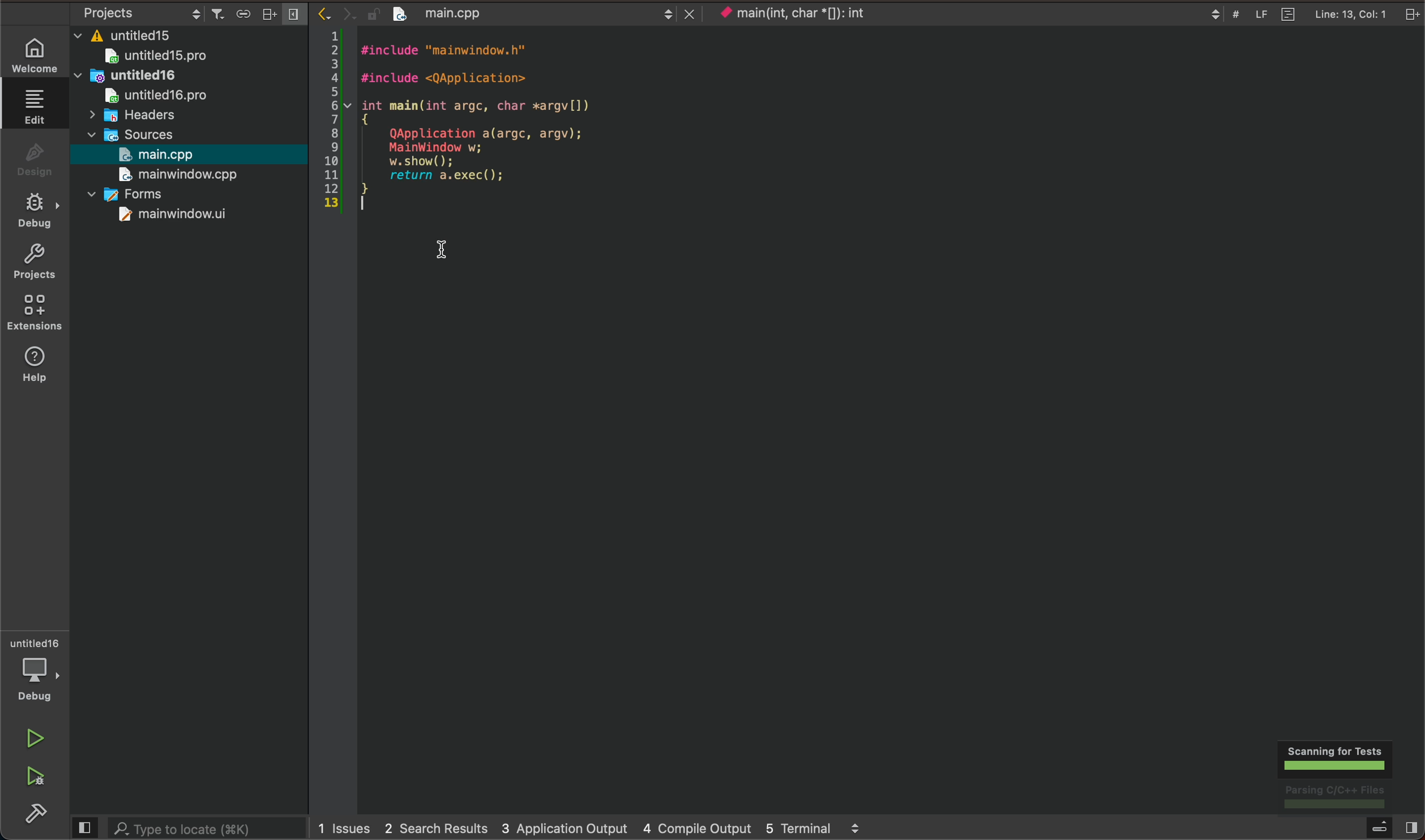  Describe the element at coordinates (179, 155) in the screenshot. I see `open main file` at that location.